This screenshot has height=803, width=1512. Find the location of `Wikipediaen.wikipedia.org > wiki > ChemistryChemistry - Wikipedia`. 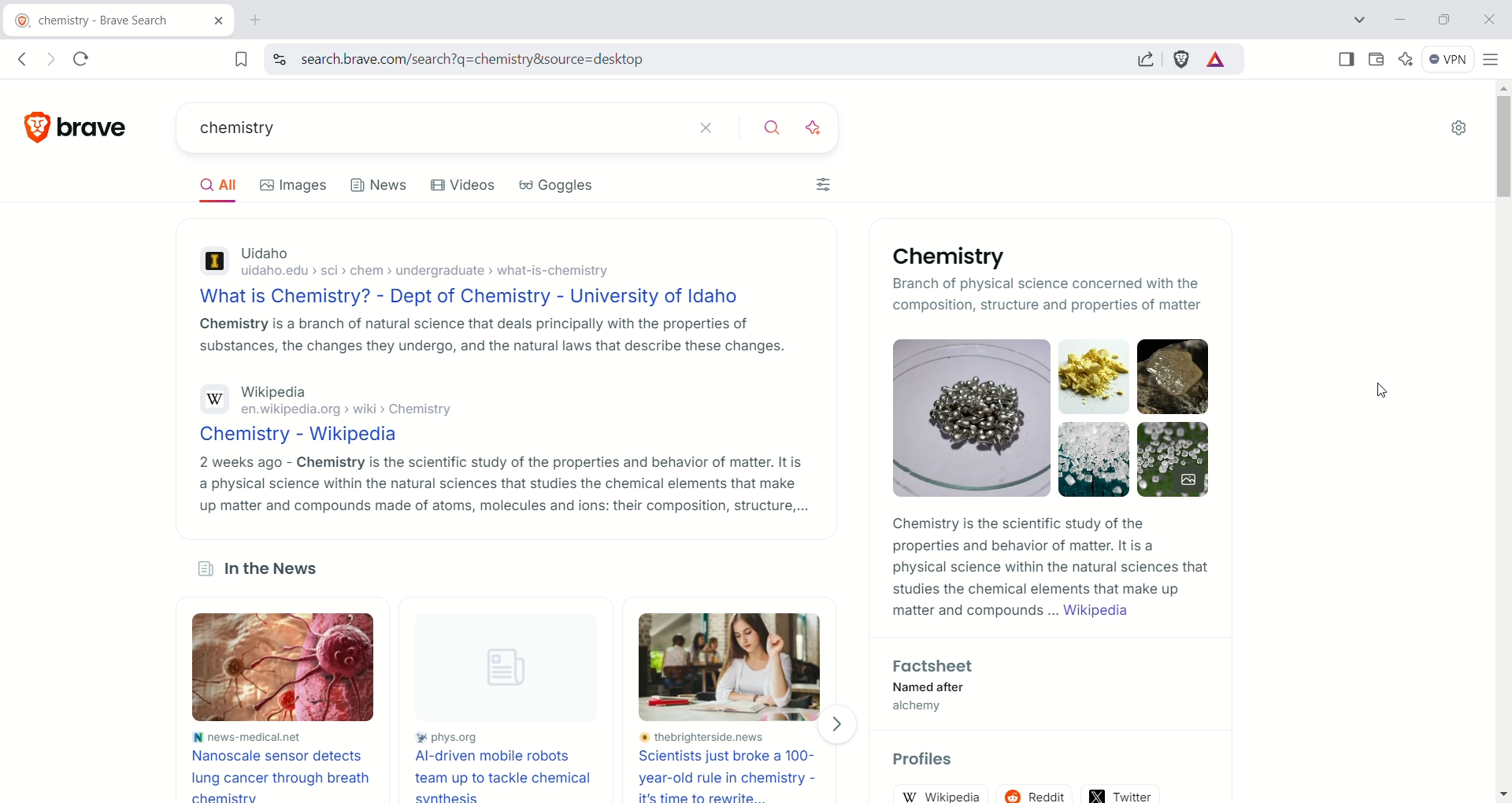

Wikipediaen.wikipedia.org > wiki > ChemistryChemistry - Wikipedia is located at coordinates (350, 413).